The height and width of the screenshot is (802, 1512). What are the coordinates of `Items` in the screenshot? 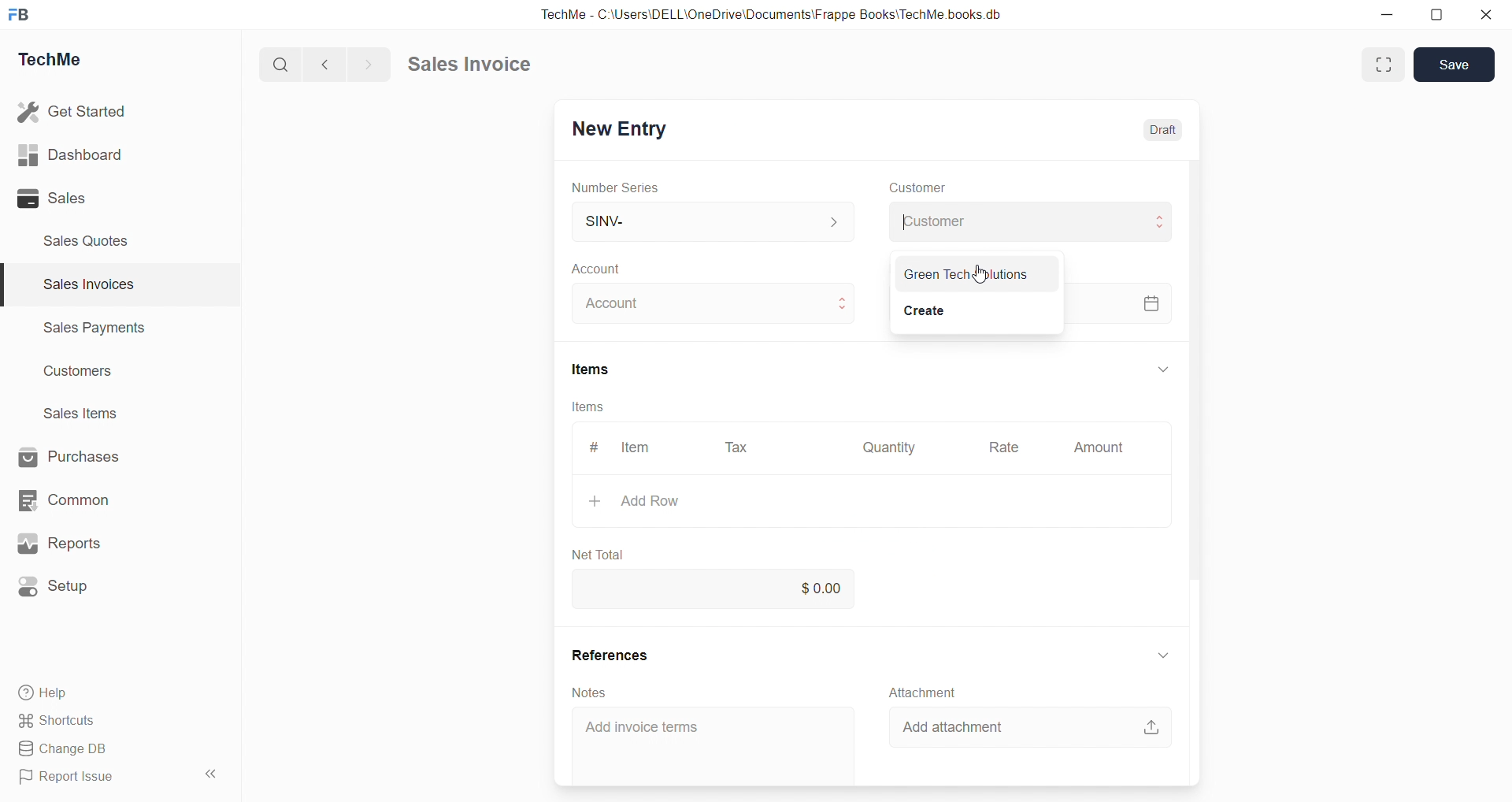 It's located at (592, 369).